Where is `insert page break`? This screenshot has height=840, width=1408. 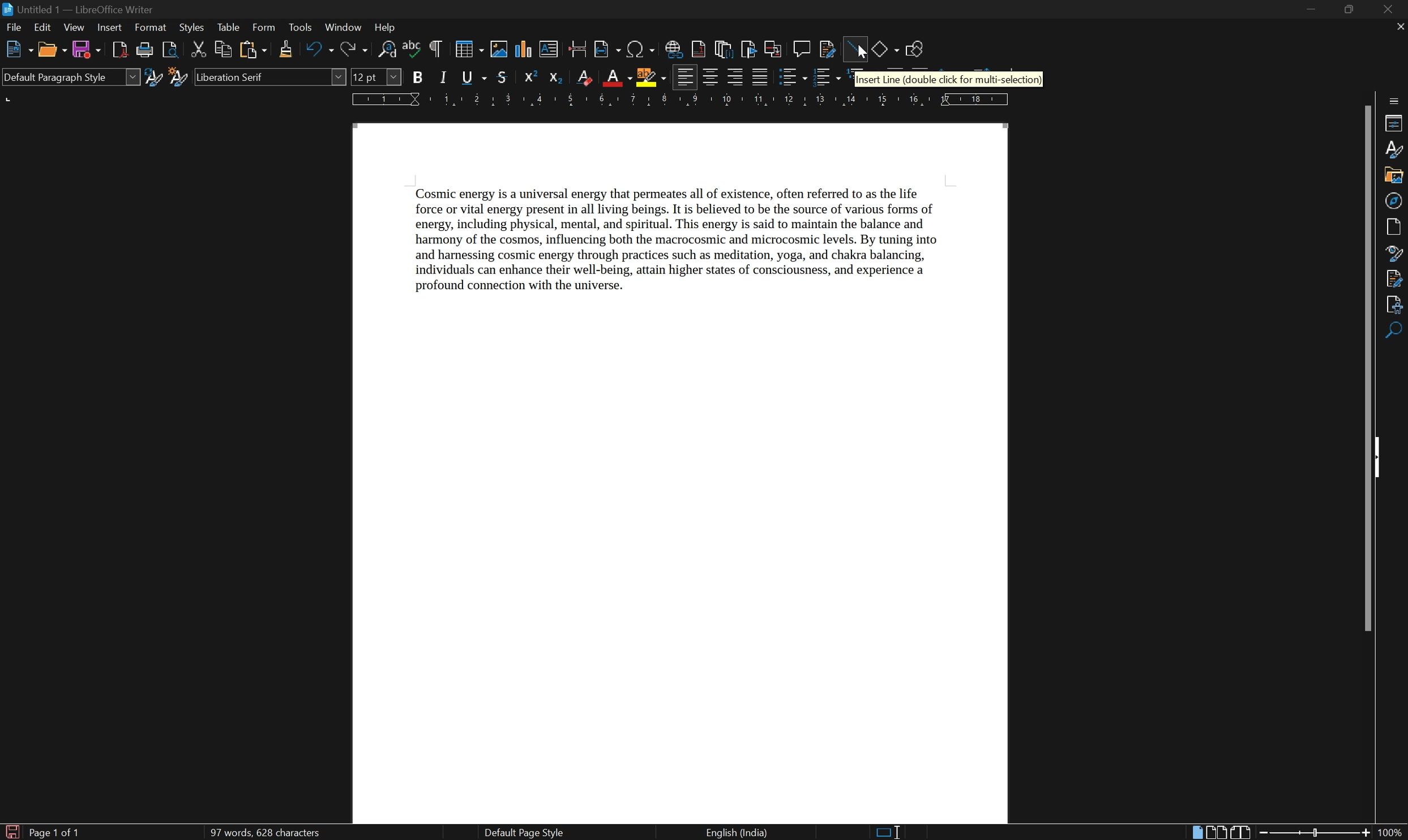
insert page break is located at coordinates (576, 48).